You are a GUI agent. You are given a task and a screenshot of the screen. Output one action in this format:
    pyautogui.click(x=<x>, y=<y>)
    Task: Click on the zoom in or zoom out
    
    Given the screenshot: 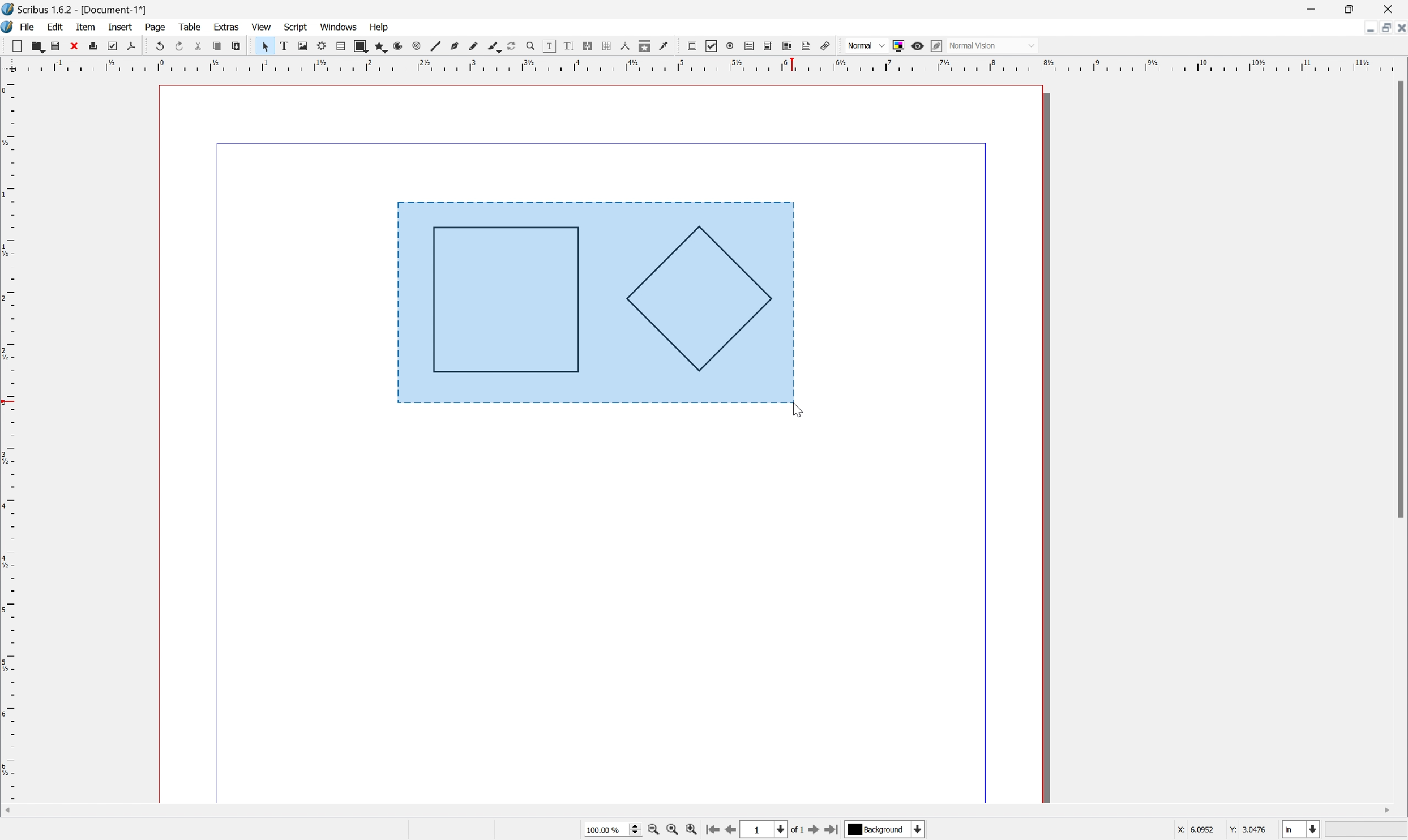 What is the action you would take?
    pyautogui.click(x=527, y=46)
    